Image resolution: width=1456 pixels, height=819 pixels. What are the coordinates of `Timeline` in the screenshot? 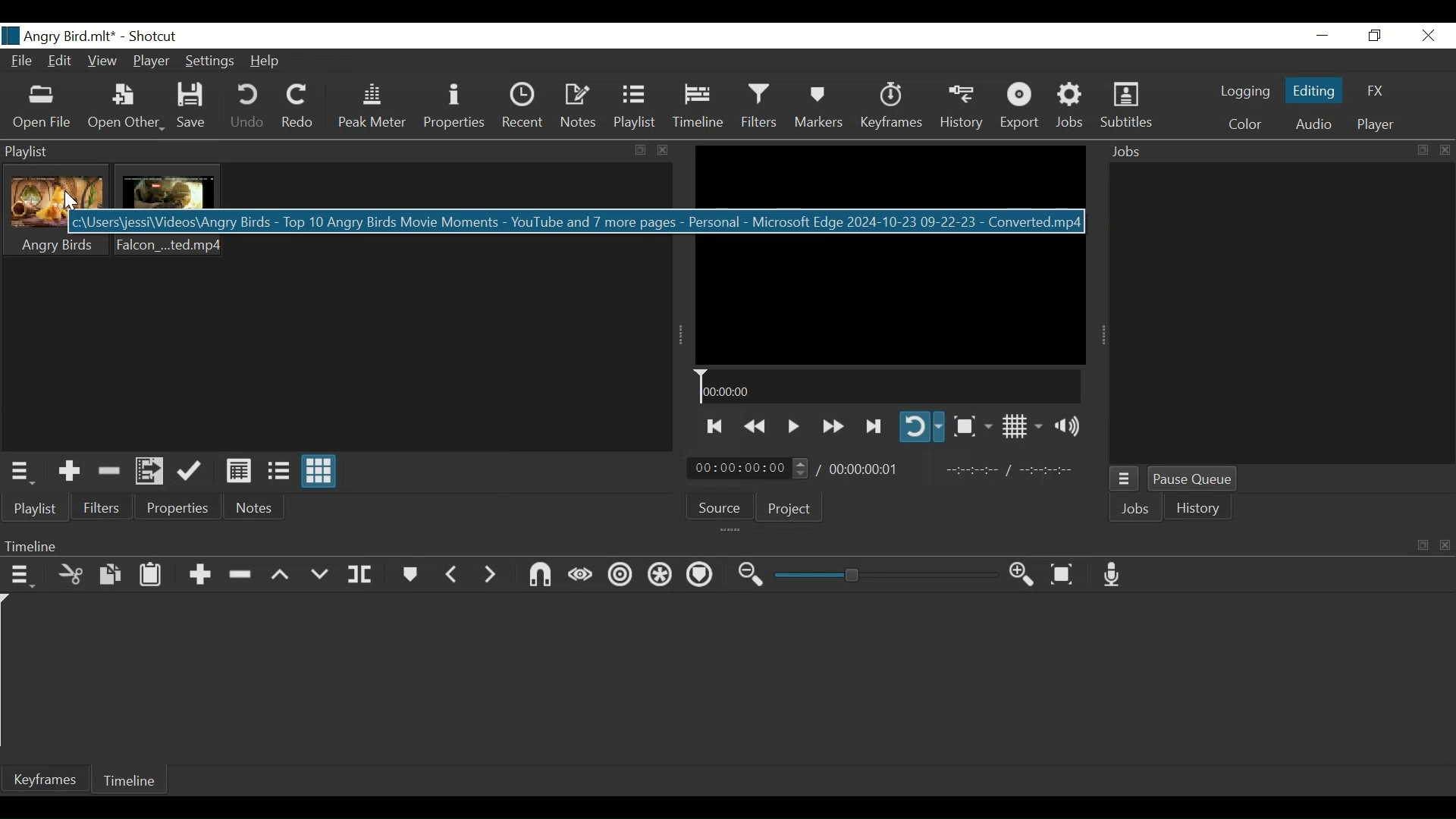 It's located at (698, 108).